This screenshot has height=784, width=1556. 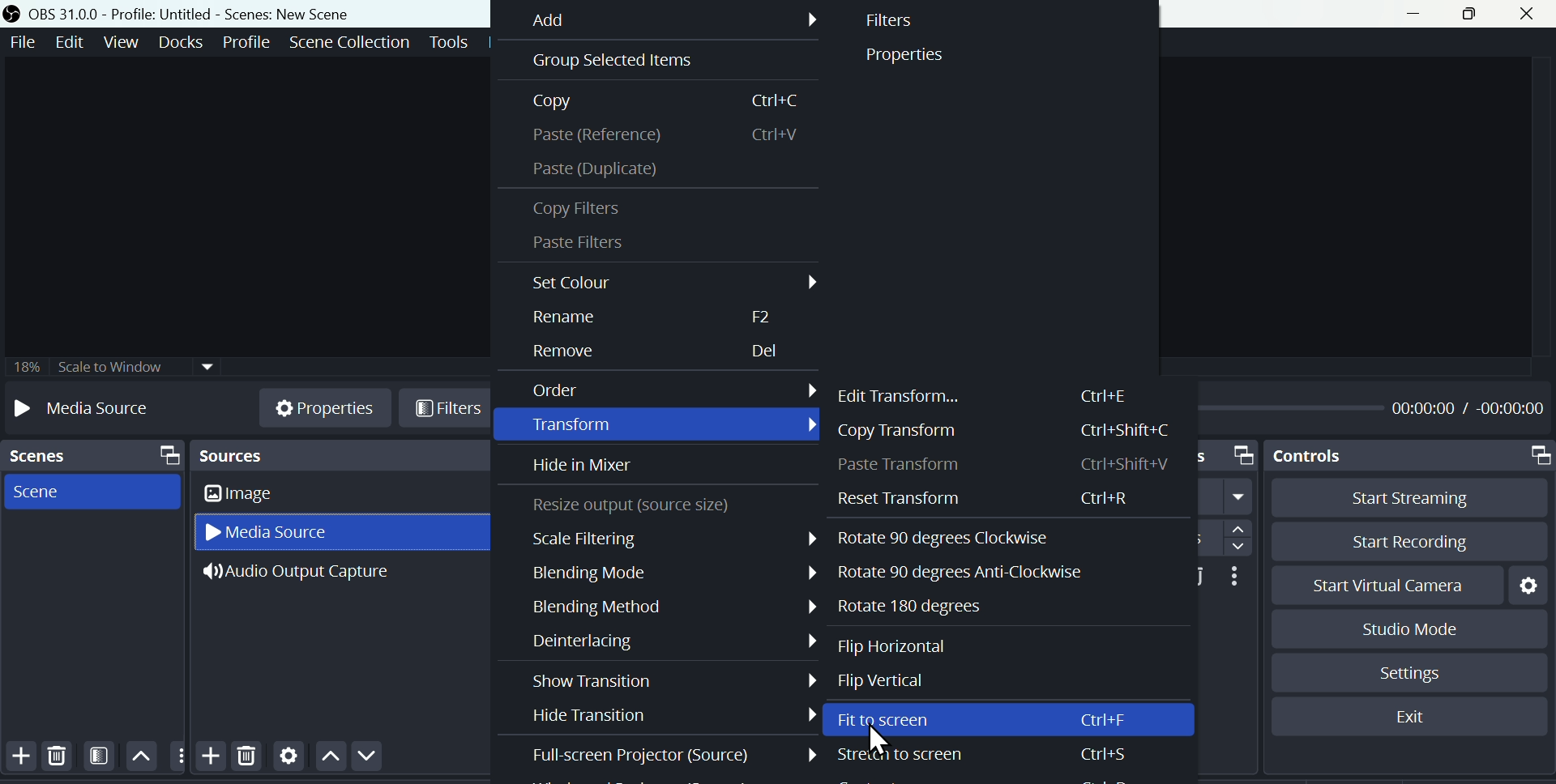 What do you see at coordinates (985, 395) in the screenshot?
I see `Edit transform` at bounding box center [985, 395].